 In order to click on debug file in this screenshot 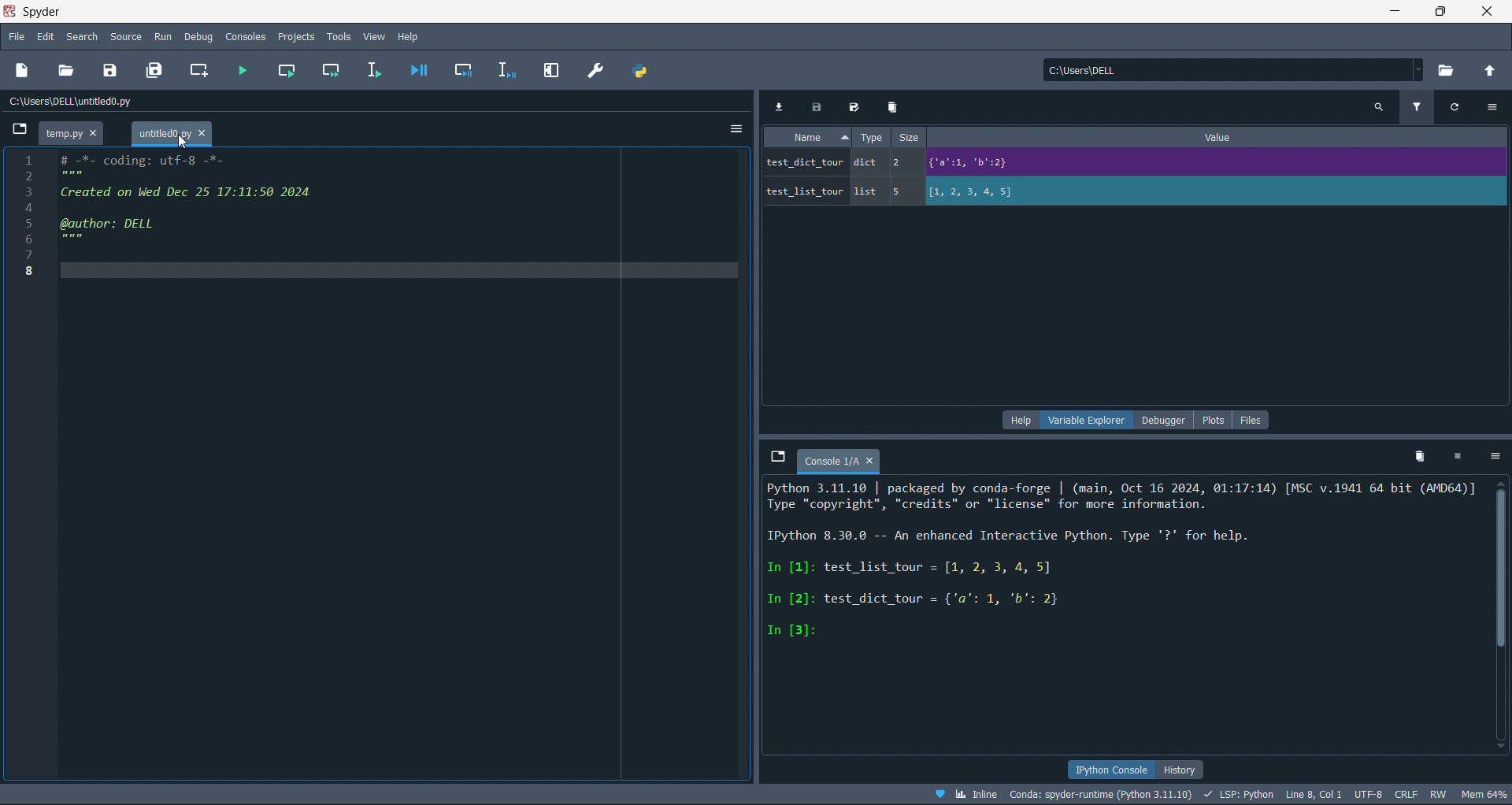, I will do `click(418, 69)`.